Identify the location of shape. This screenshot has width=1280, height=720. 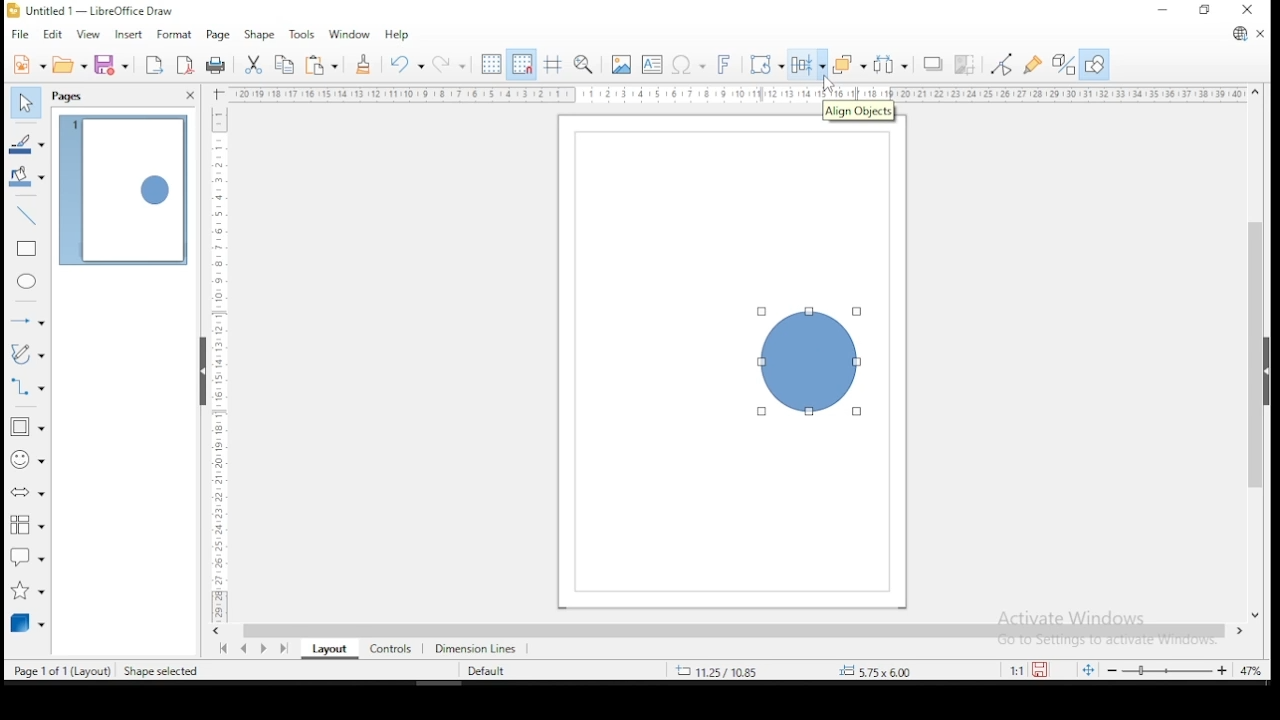
(812, 364).